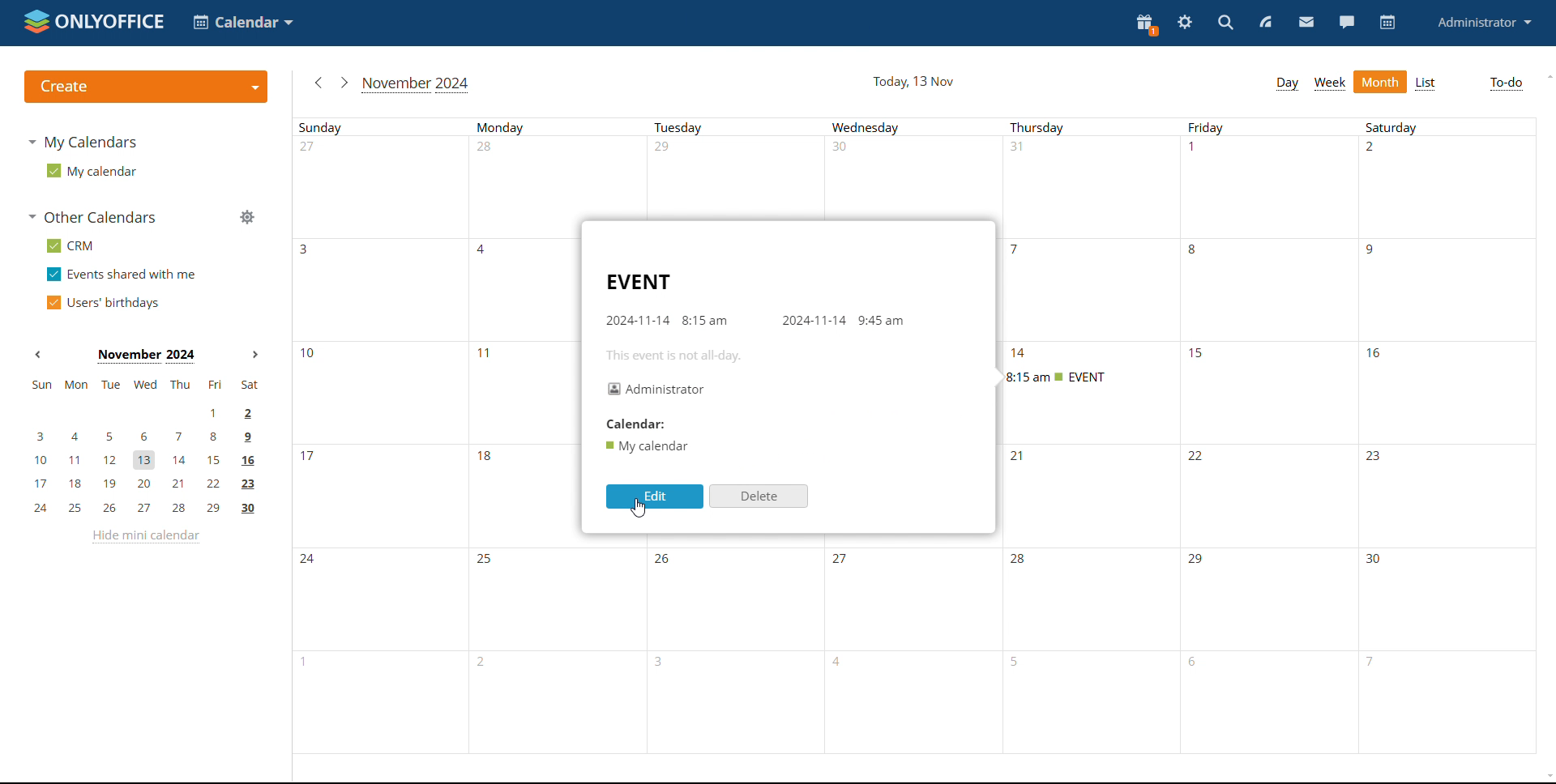  Describe the element at coordinates (316, 83) in the screenshot. I see `previous month` at that location.